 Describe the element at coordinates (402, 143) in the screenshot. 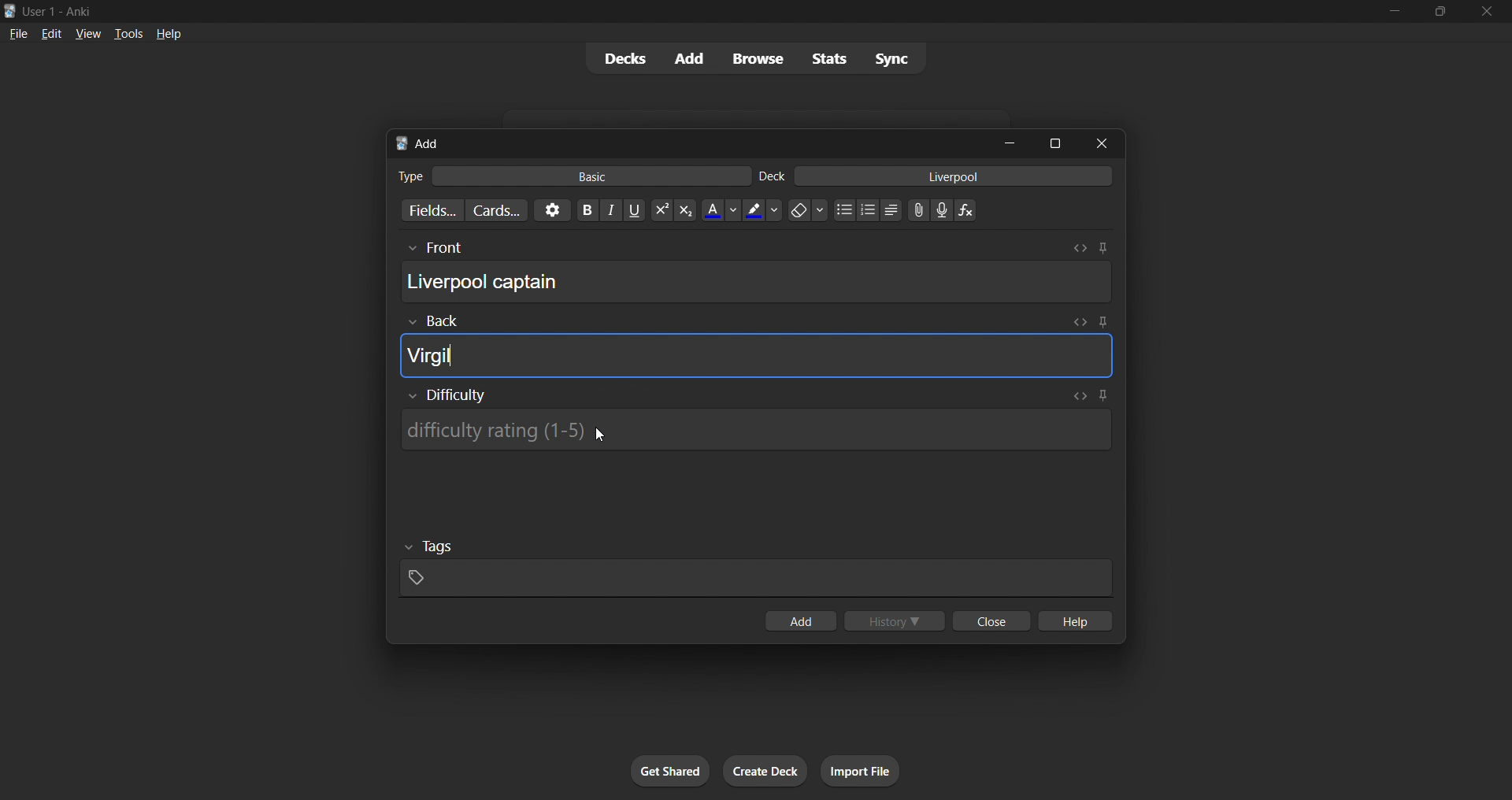

I see `Anki logo` at that location.